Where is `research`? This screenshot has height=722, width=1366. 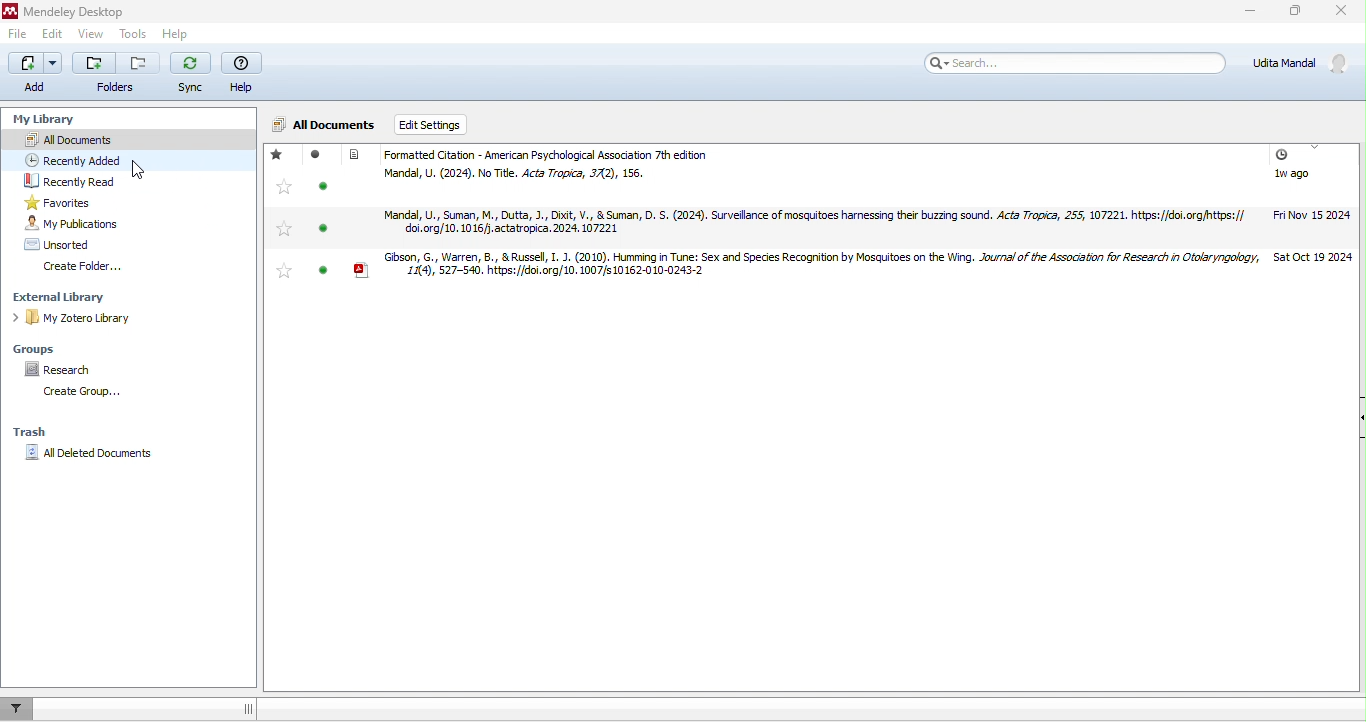
research is located at coordinates (60, 370).